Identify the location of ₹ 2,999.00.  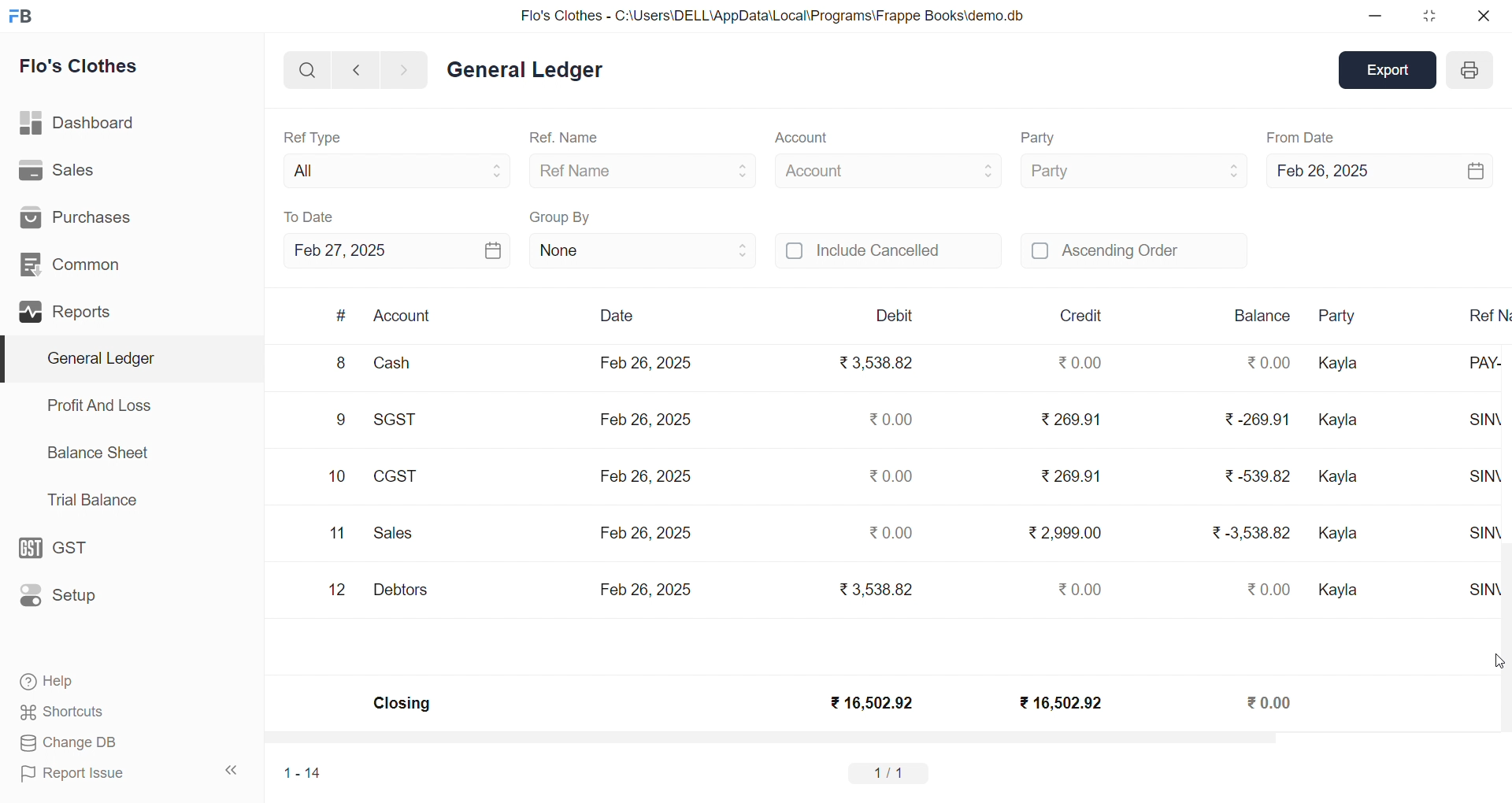
(1068, 532).